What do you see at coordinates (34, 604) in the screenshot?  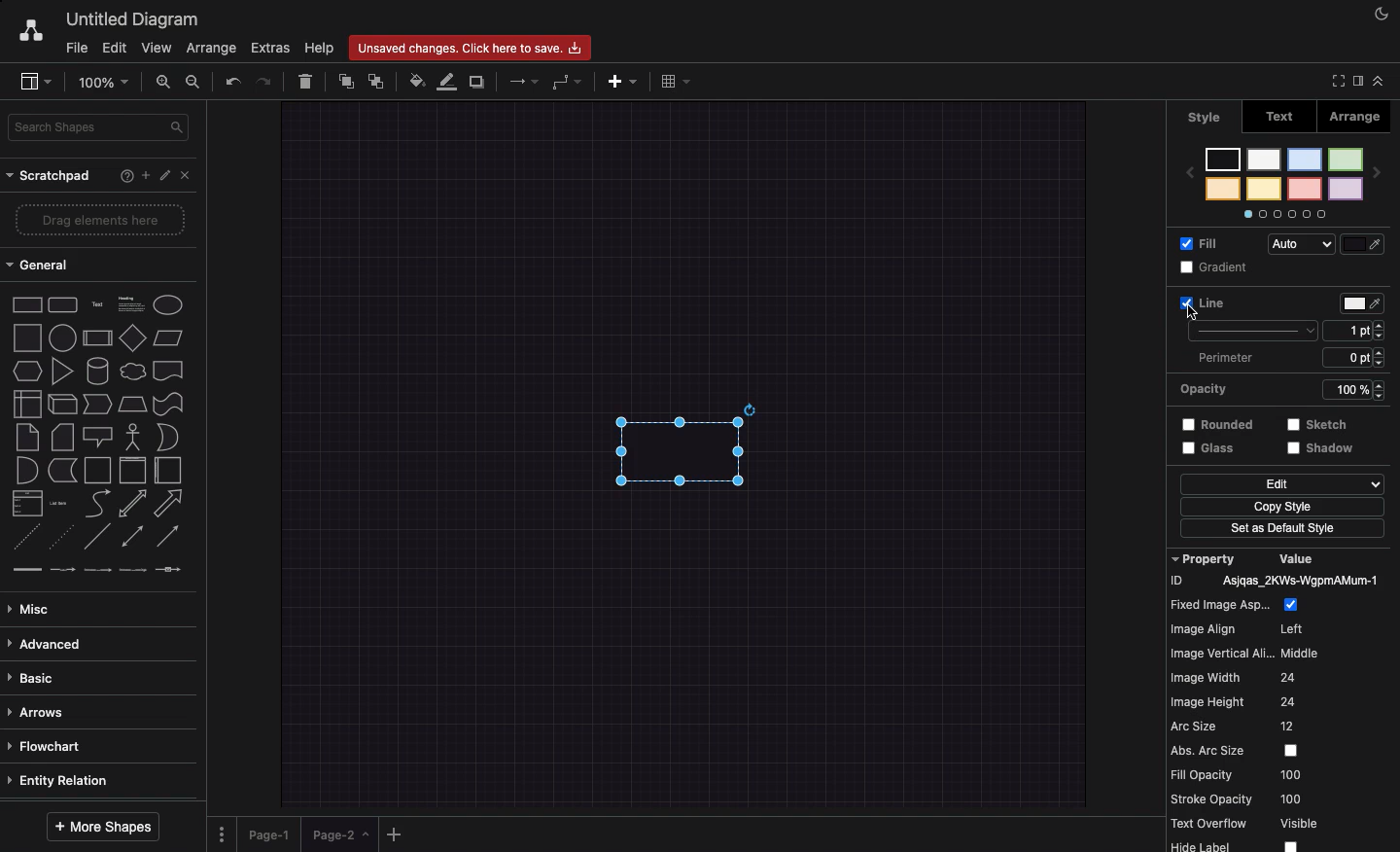 I see `Misc` at bounding box center [34, 604].